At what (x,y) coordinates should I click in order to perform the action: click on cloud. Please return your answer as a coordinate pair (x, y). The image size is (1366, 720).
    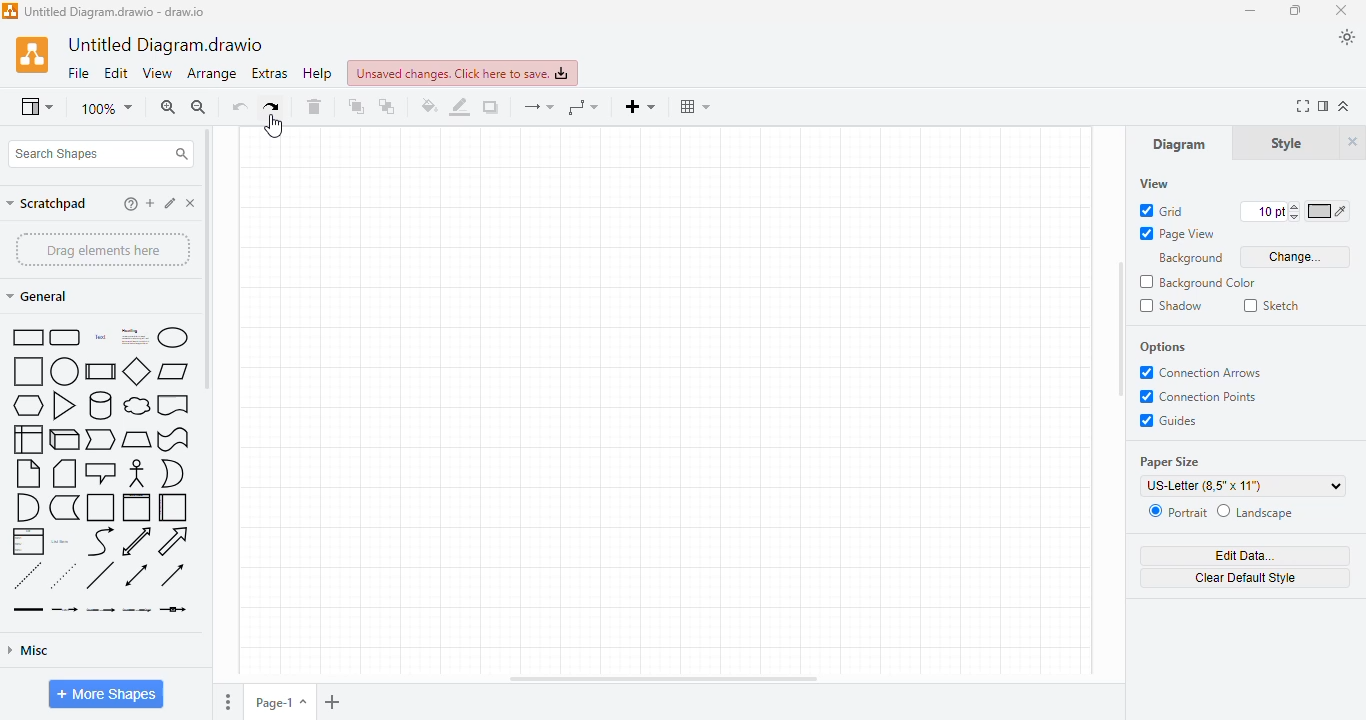
    Looking at the image, I should click on (136, 406).